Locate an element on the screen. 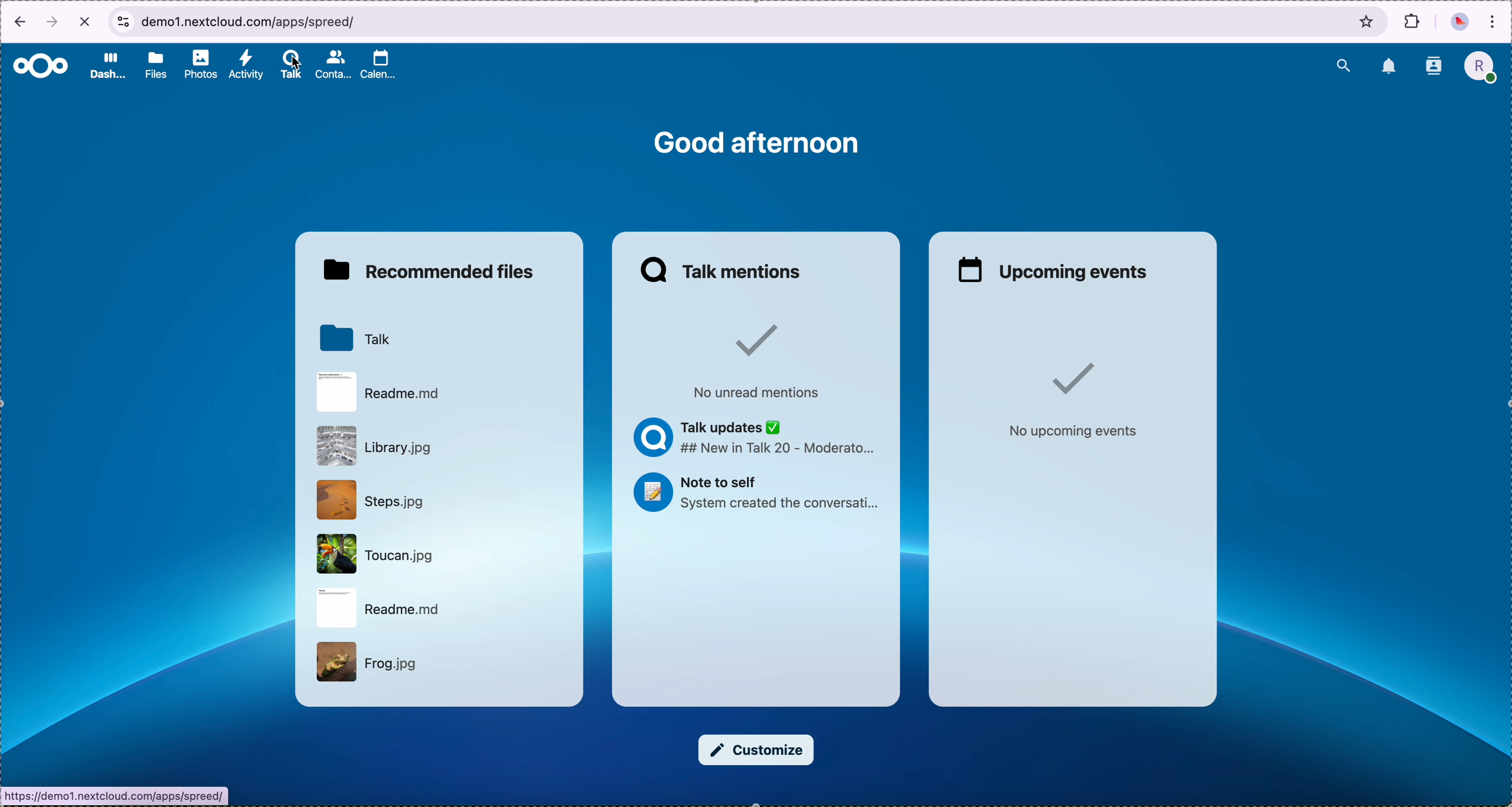  activity is located at coordinates (247, 63).